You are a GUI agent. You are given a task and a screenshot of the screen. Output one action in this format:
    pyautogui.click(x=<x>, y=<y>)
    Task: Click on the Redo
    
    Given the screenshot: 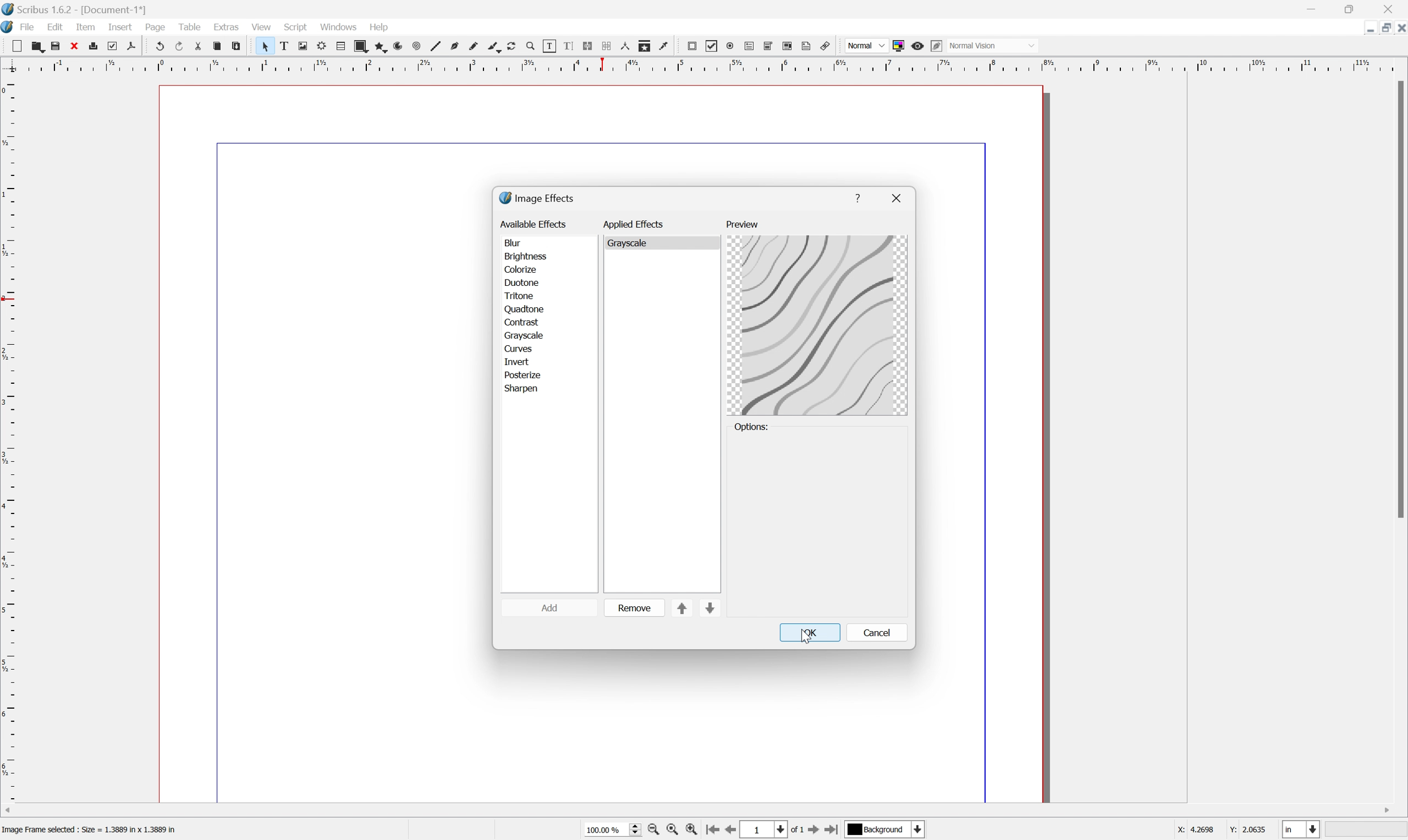 What is the action you would take?
    pyautogui.click(x=183, y=47)
    